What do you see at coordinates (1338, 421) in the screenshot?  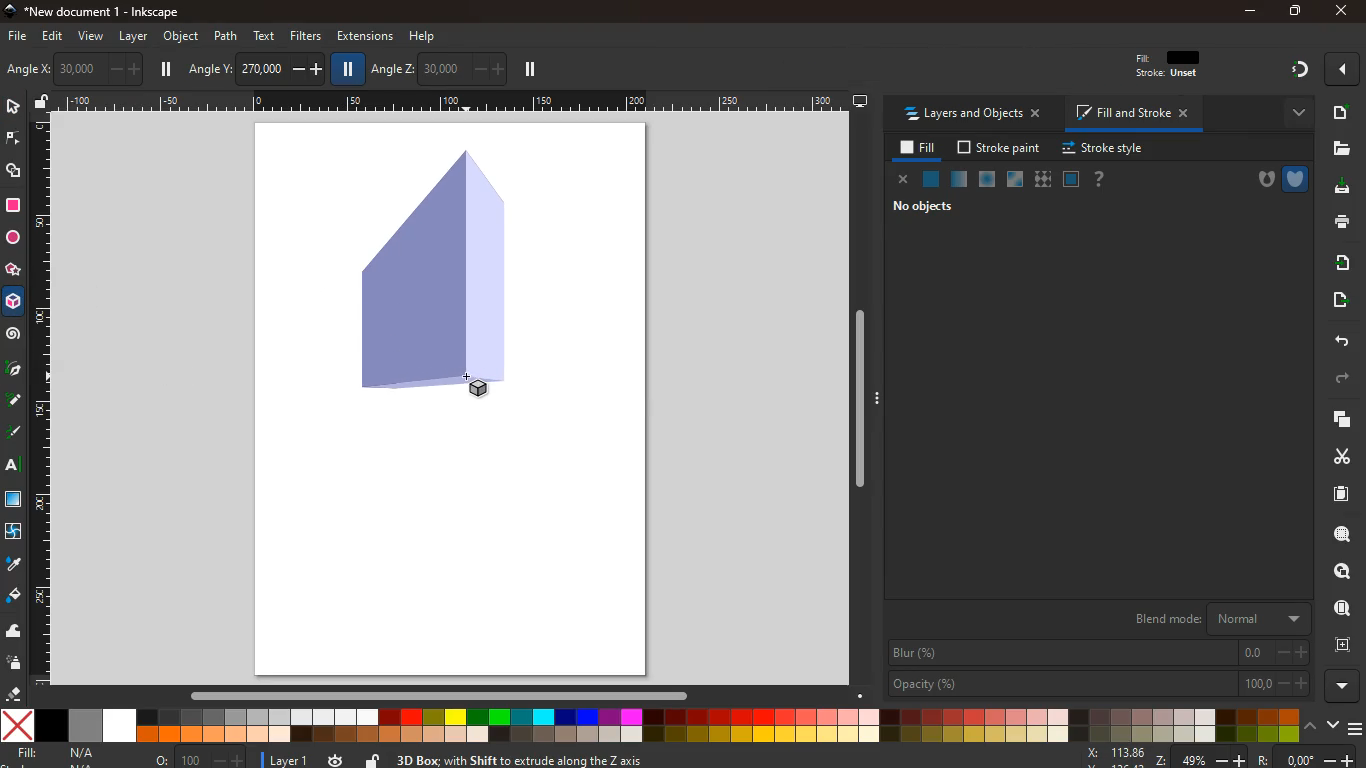 I see `layers` at bounding box center [1338, 421].